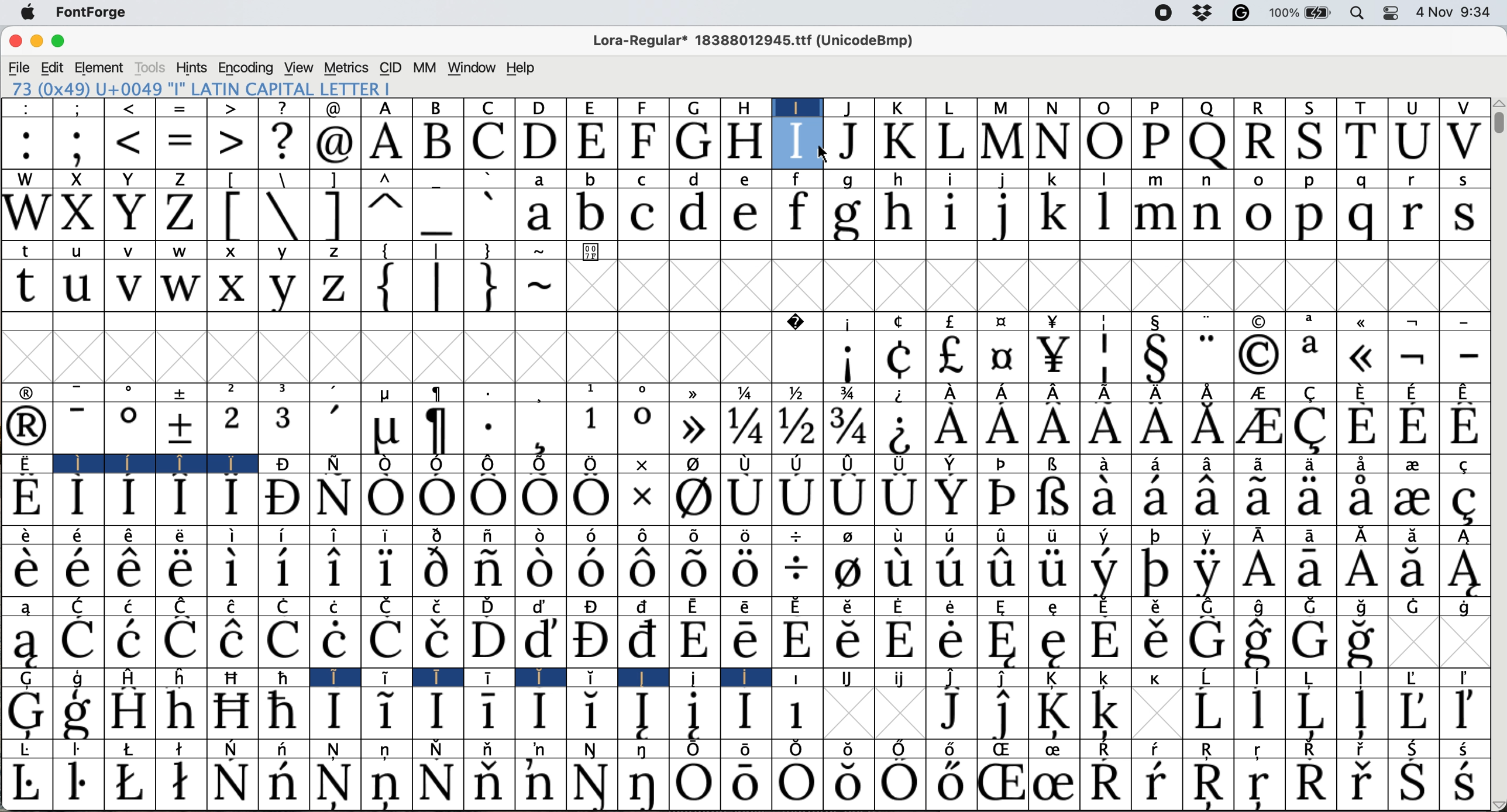 Image resolution: width=1507 pixels, height=812 pixels. What do you see at coordinates (1266, 536) in the screenshot?
I see `Symbol` at bounding box center [1266, 536].